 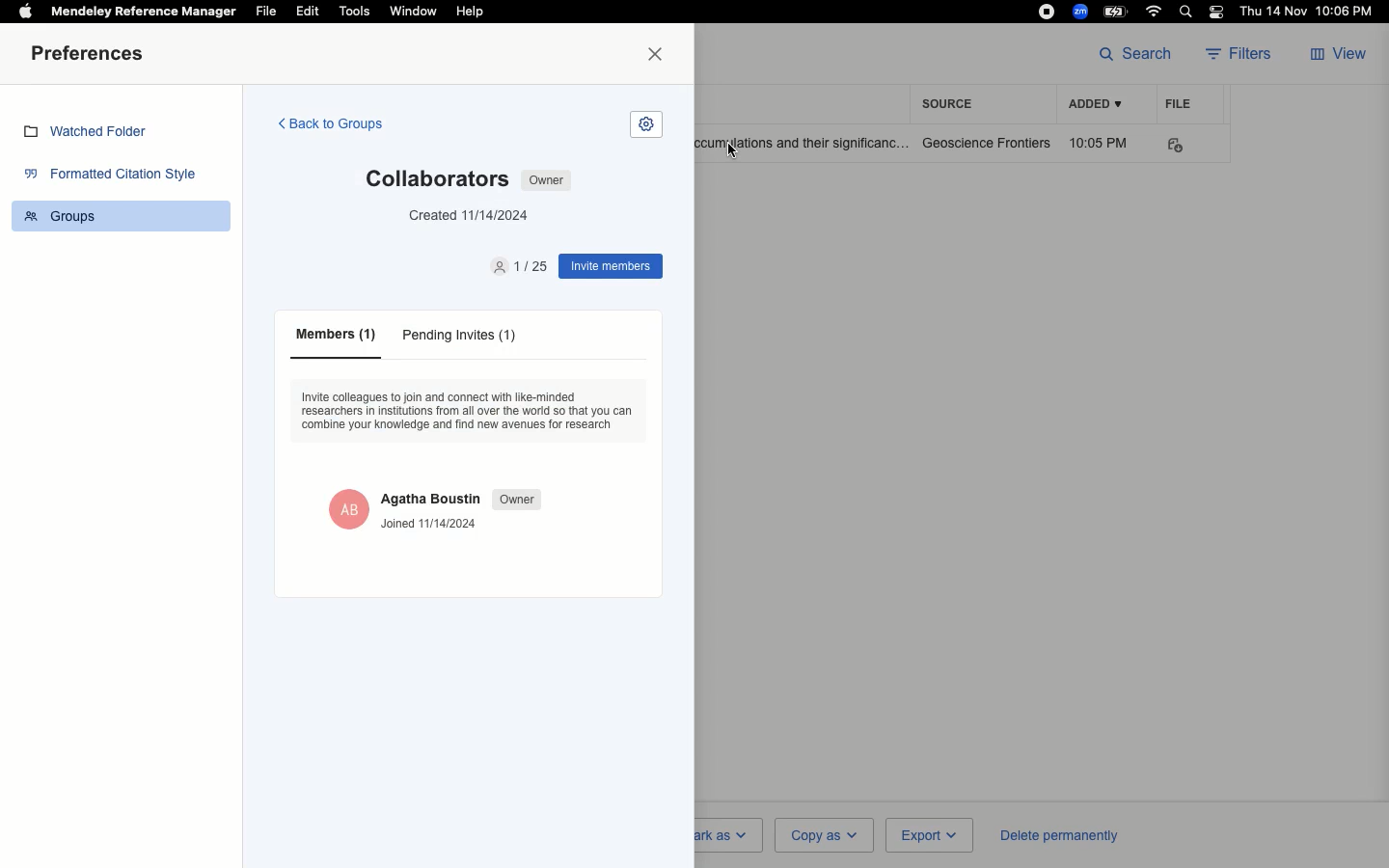 What do you see at coordinates (329, 125) in the screenshot?
I see `Back to groups` at bounding box center [329, 125].